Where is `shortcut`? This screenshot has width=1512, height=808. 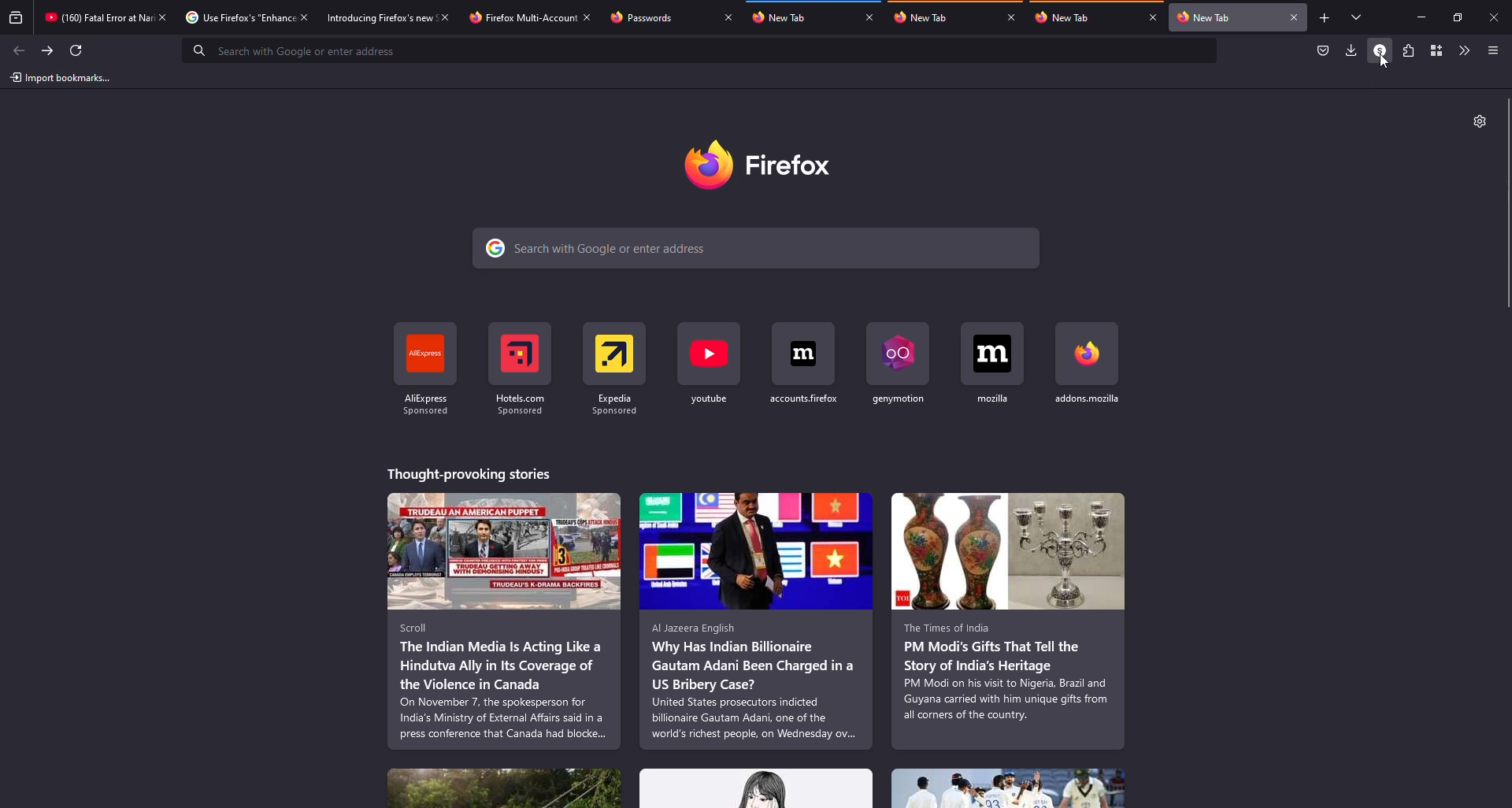
shortcut is located at coordinates (900, 363).